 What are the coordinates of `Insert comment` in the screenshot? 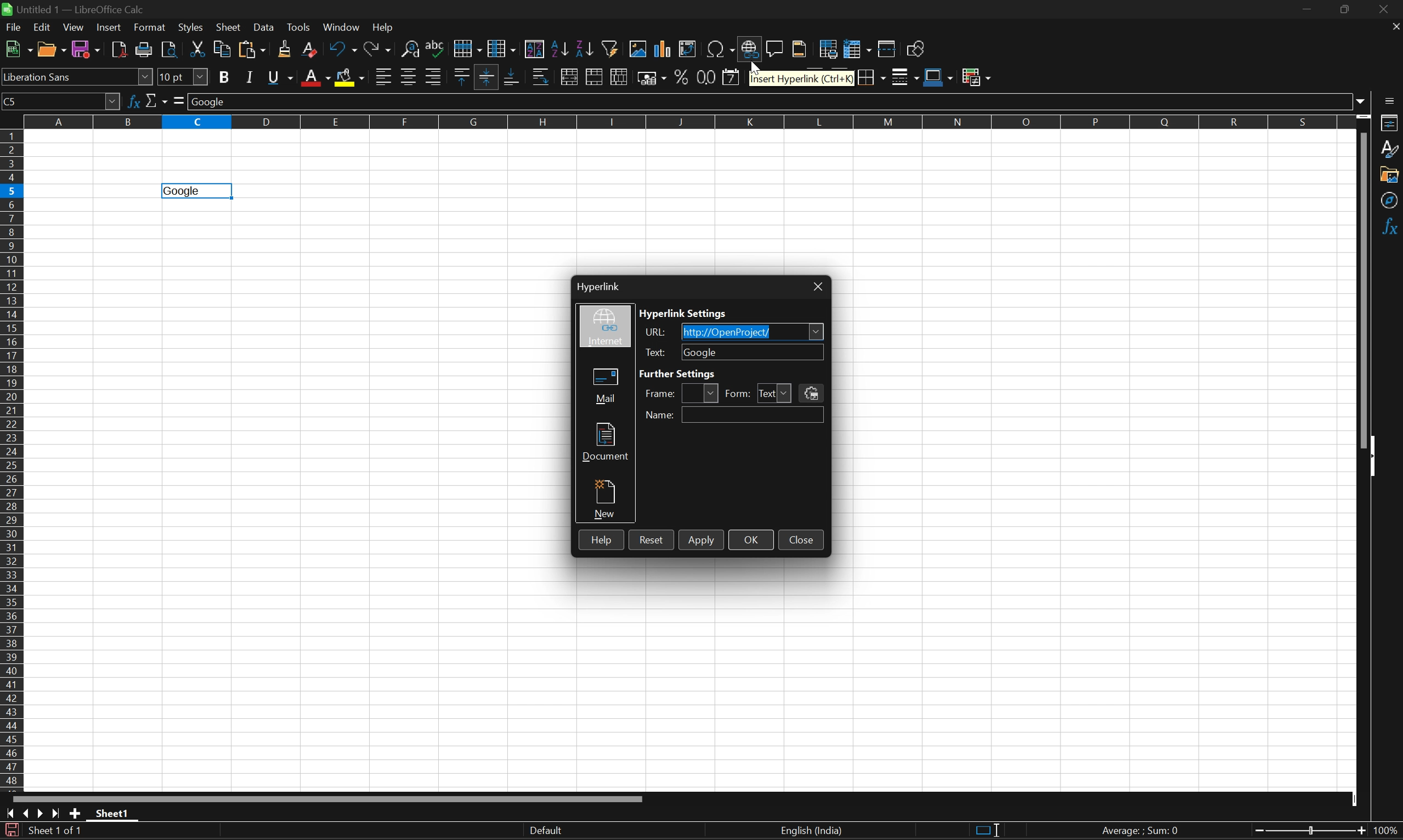 It's located at (776, 49).